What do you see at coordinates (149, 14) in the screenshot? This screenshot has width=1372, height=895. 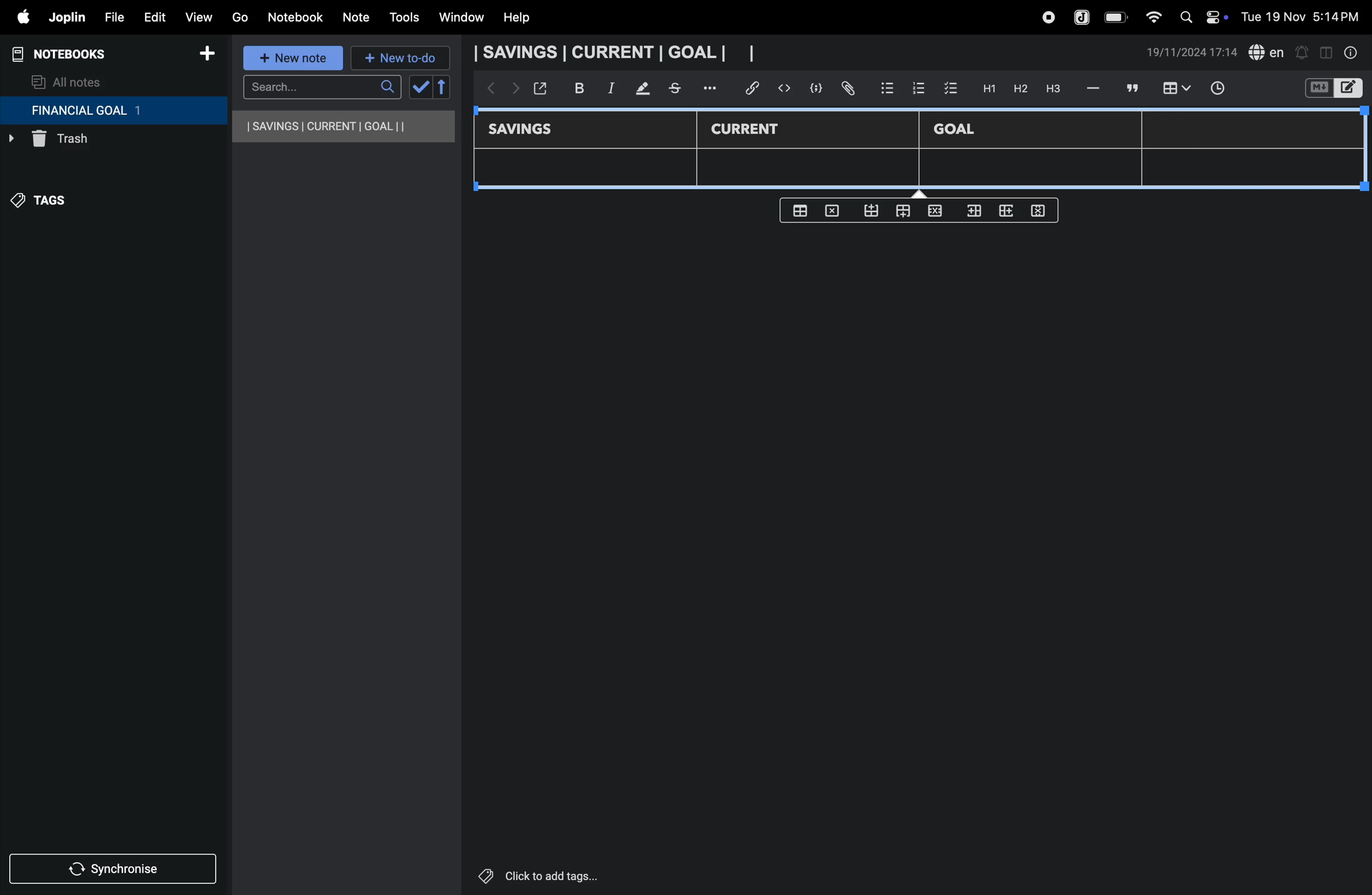 I see `edit` at bounding box center [149, 14].